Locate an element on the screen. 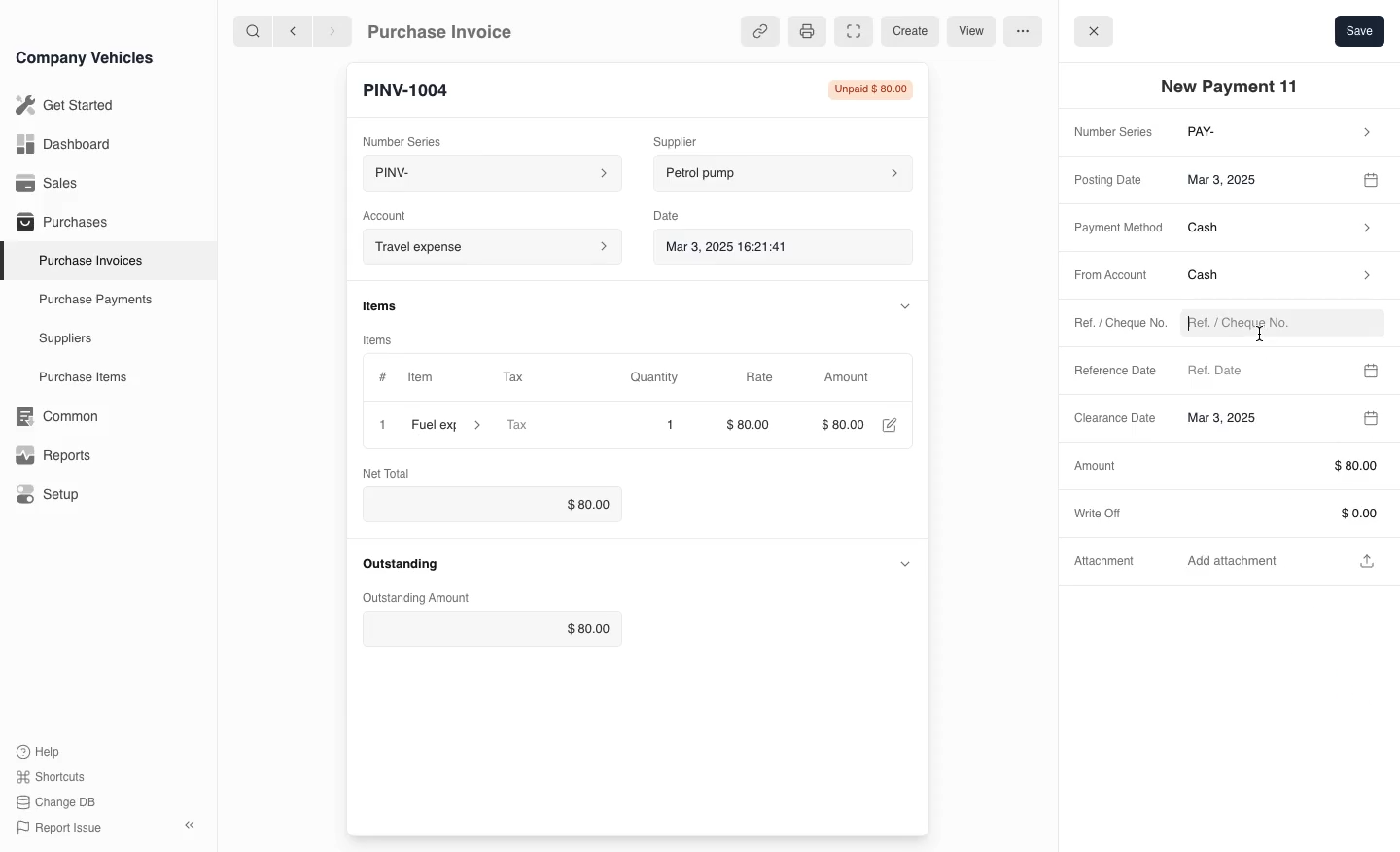 Image resolution: width=1400 pixels, height=852 pixels. Clearance Date is located at coordinates (1255, 419).